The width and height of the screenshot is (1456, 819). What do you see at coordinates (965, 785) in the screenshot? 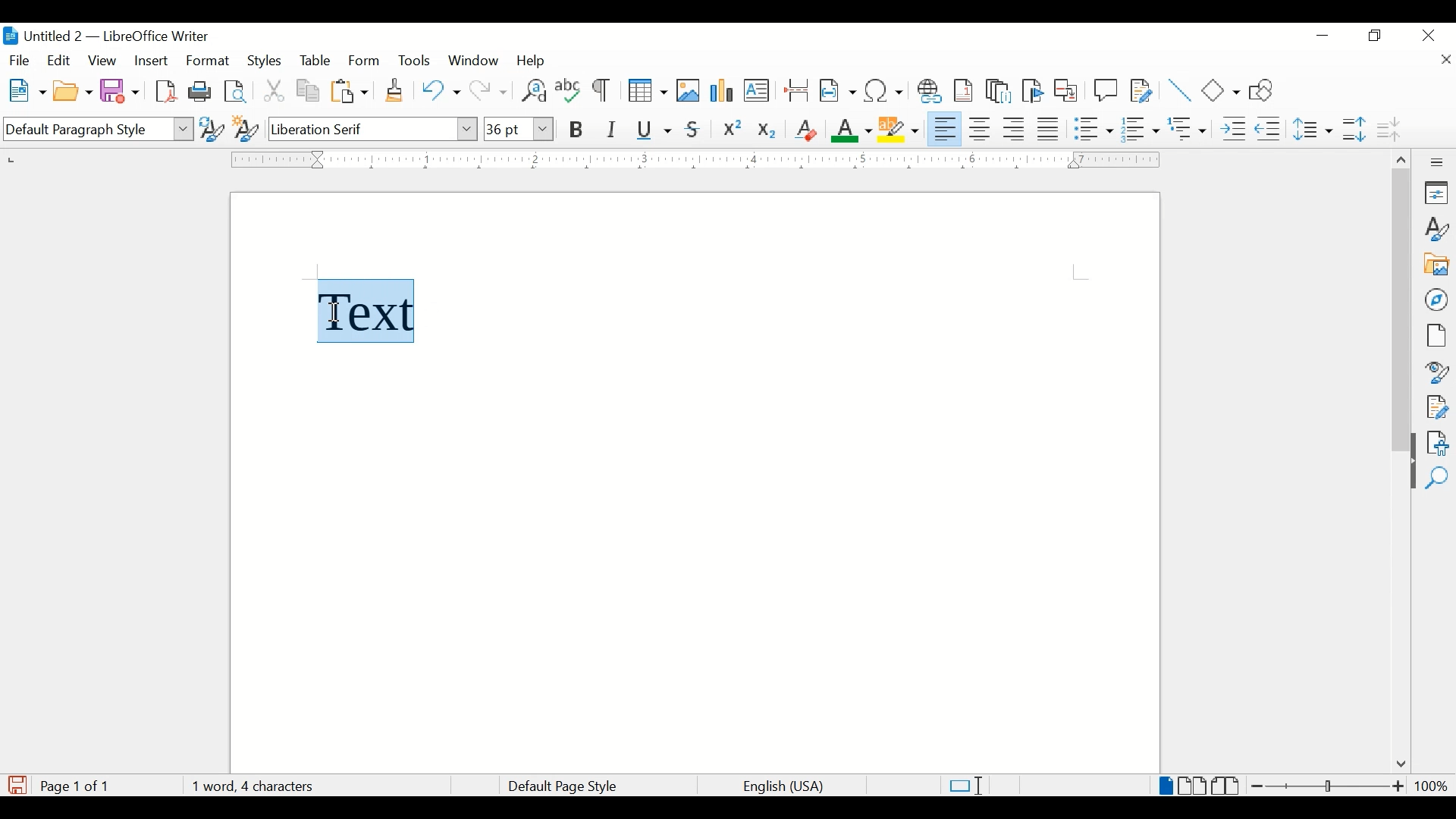
I see `standard selections` at bounding box center [965, 785].